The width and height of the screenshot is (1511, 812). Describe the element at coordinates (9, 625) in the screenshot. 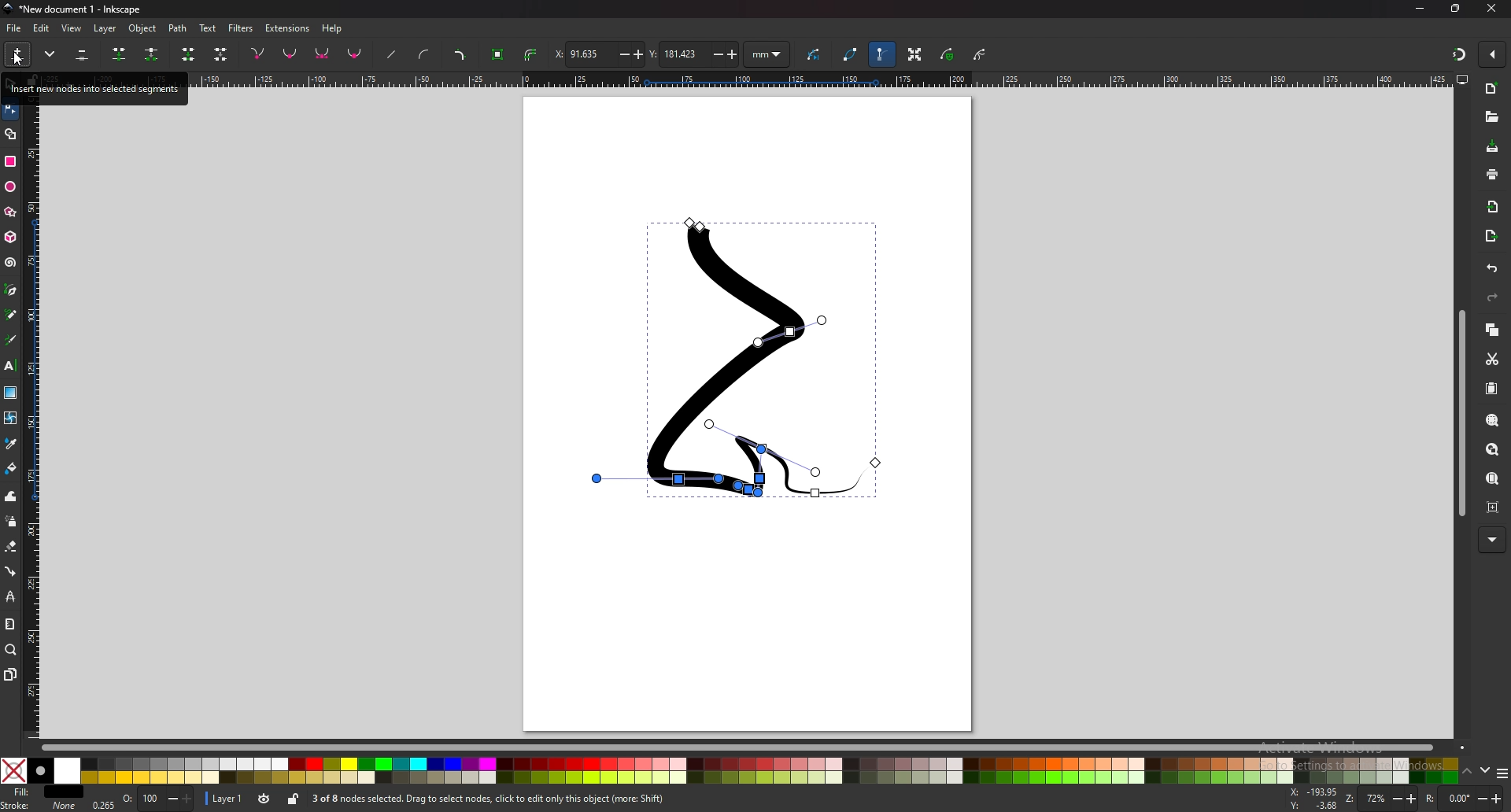

I see `measure` at that location.